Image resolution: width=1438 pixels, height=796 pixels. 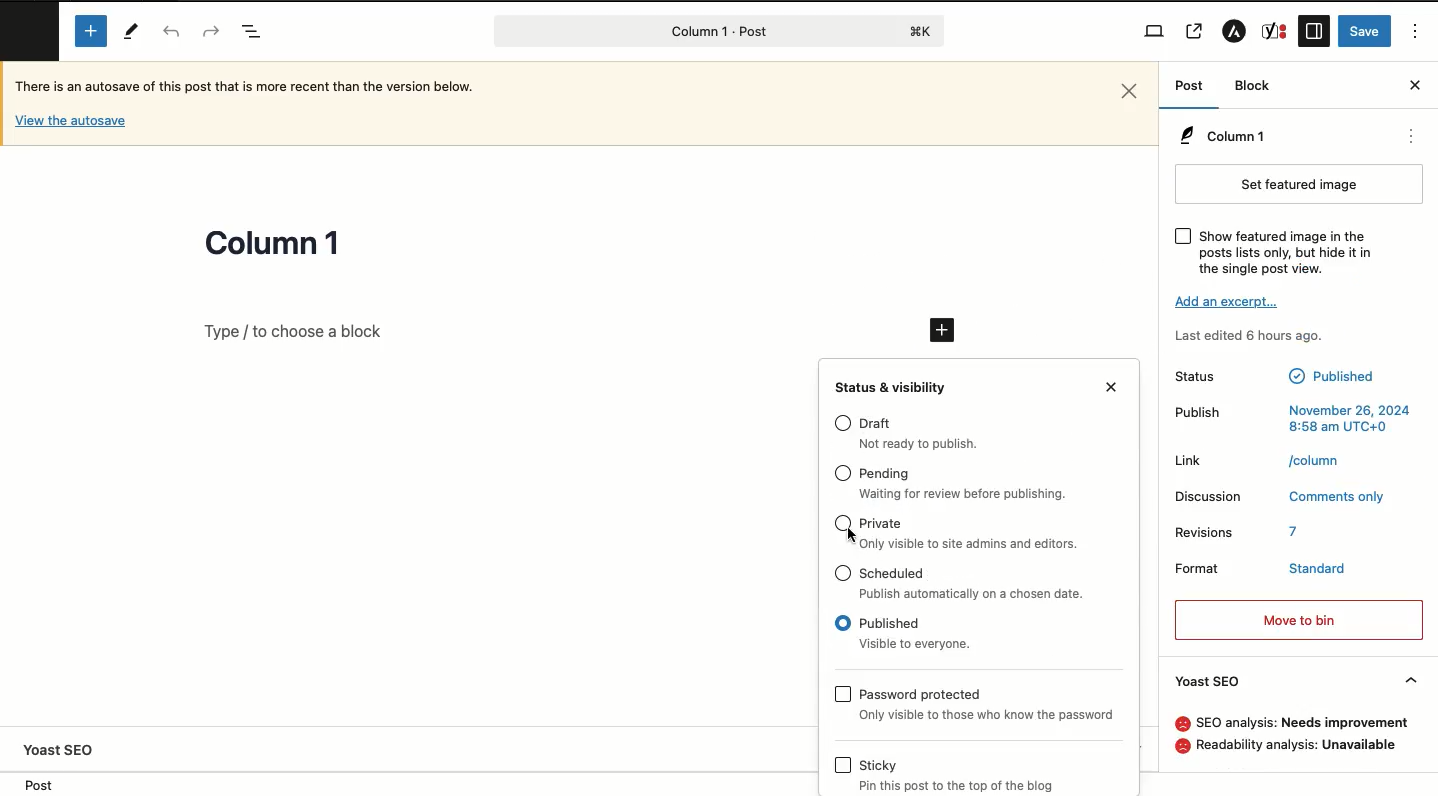 What do you see at coordinates (877, 424) in the screenshot?
I see `Draft` at bounding box center [877, 424].